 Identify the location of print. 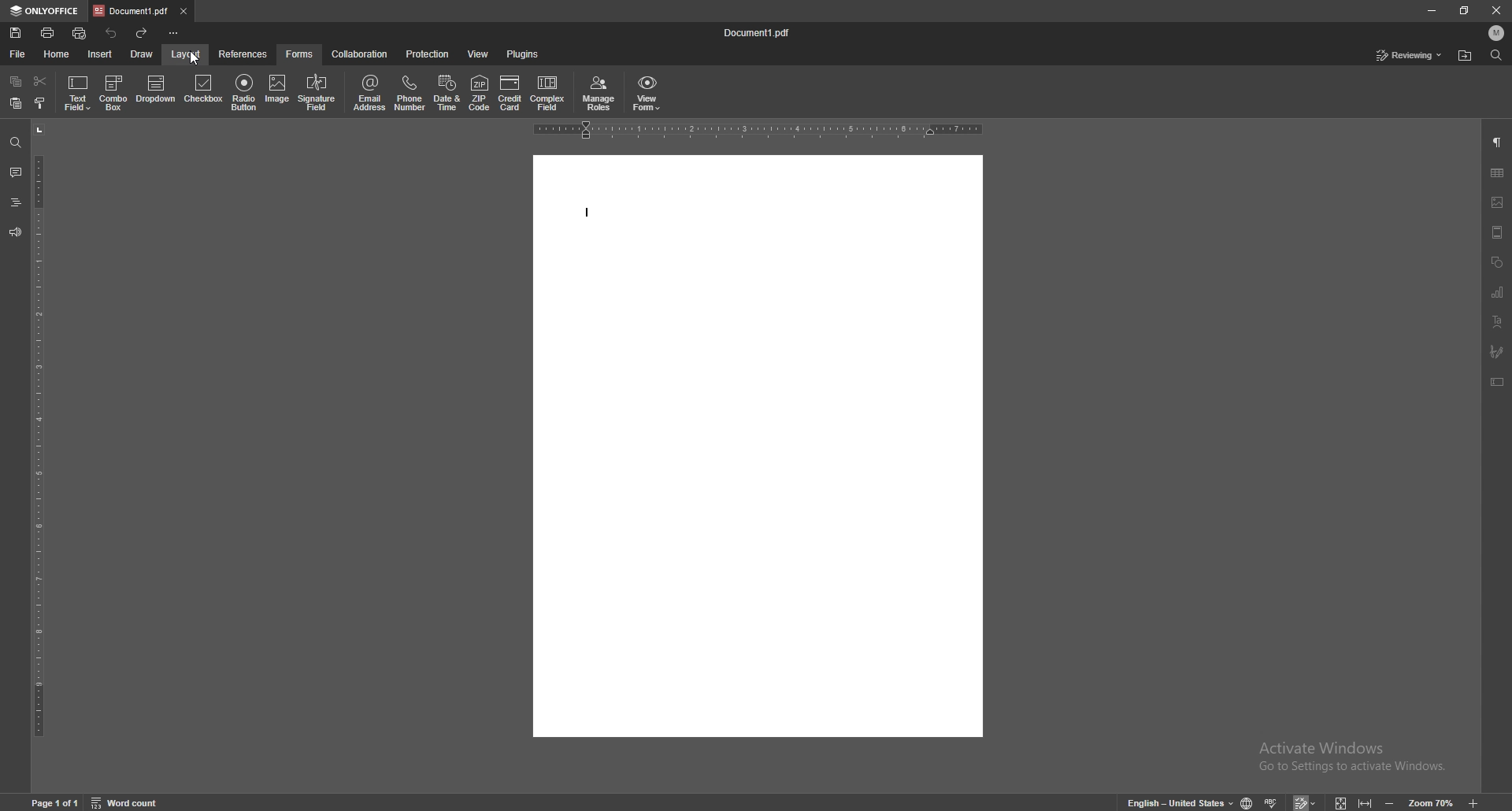
(49, 32).